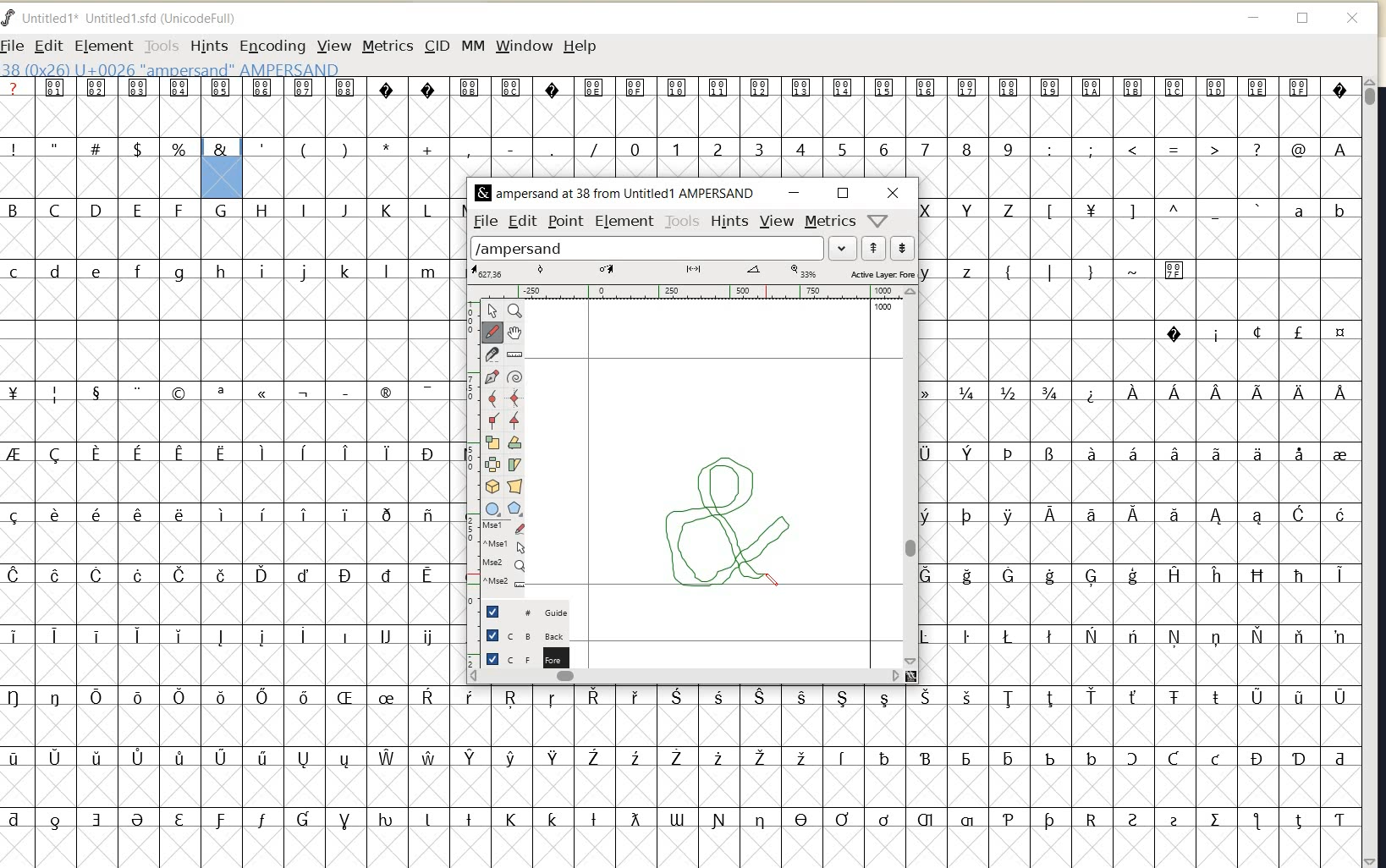 The image size is (1386, 868). What do you see at coordinates (802, 127) in the screenshot?
I see `glyph characters & numbers` at bounding box center [802, 127].